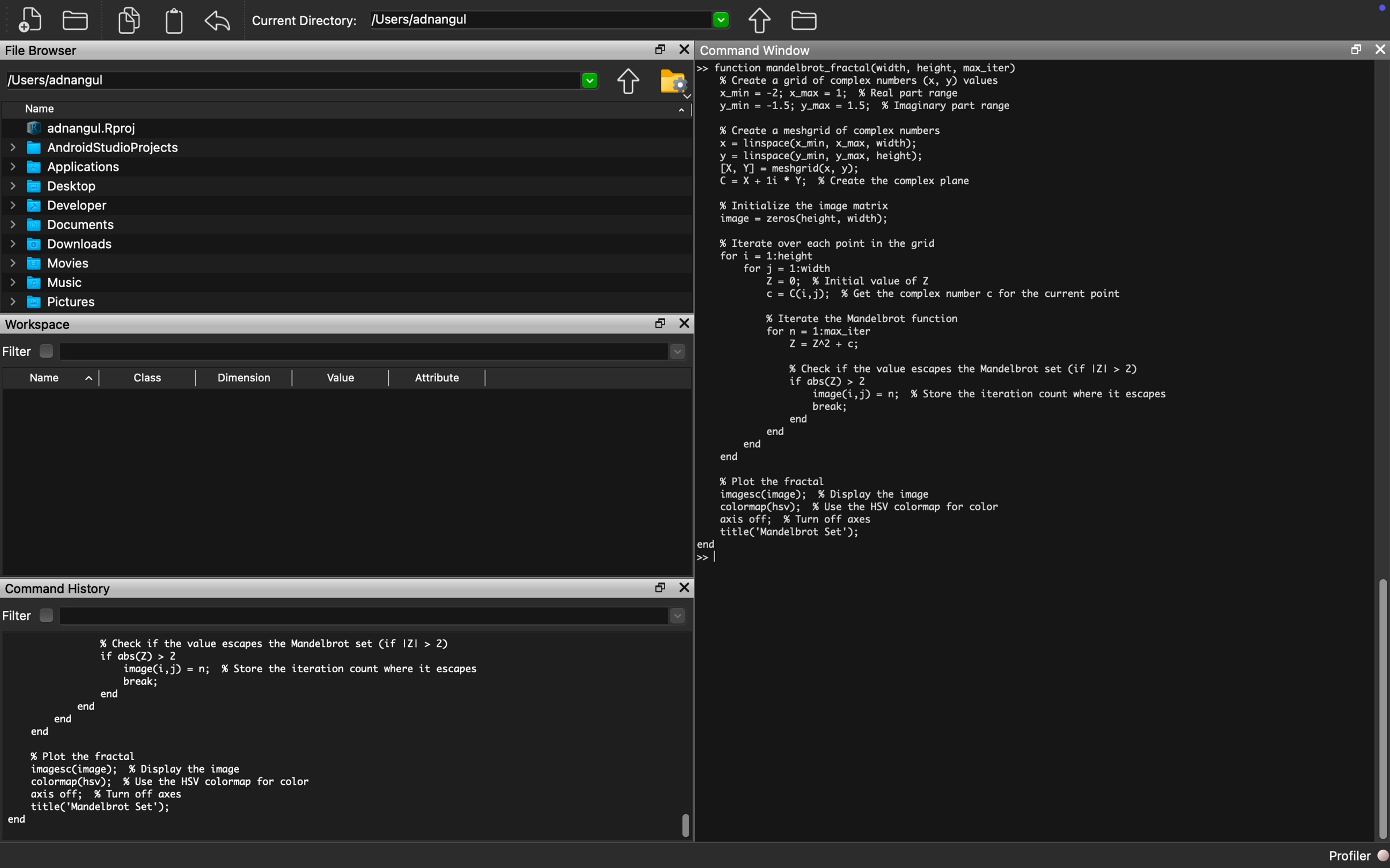 The width and height of the screenshot is (1390, 868). I want to click on Restore Down, so click(663, 49).